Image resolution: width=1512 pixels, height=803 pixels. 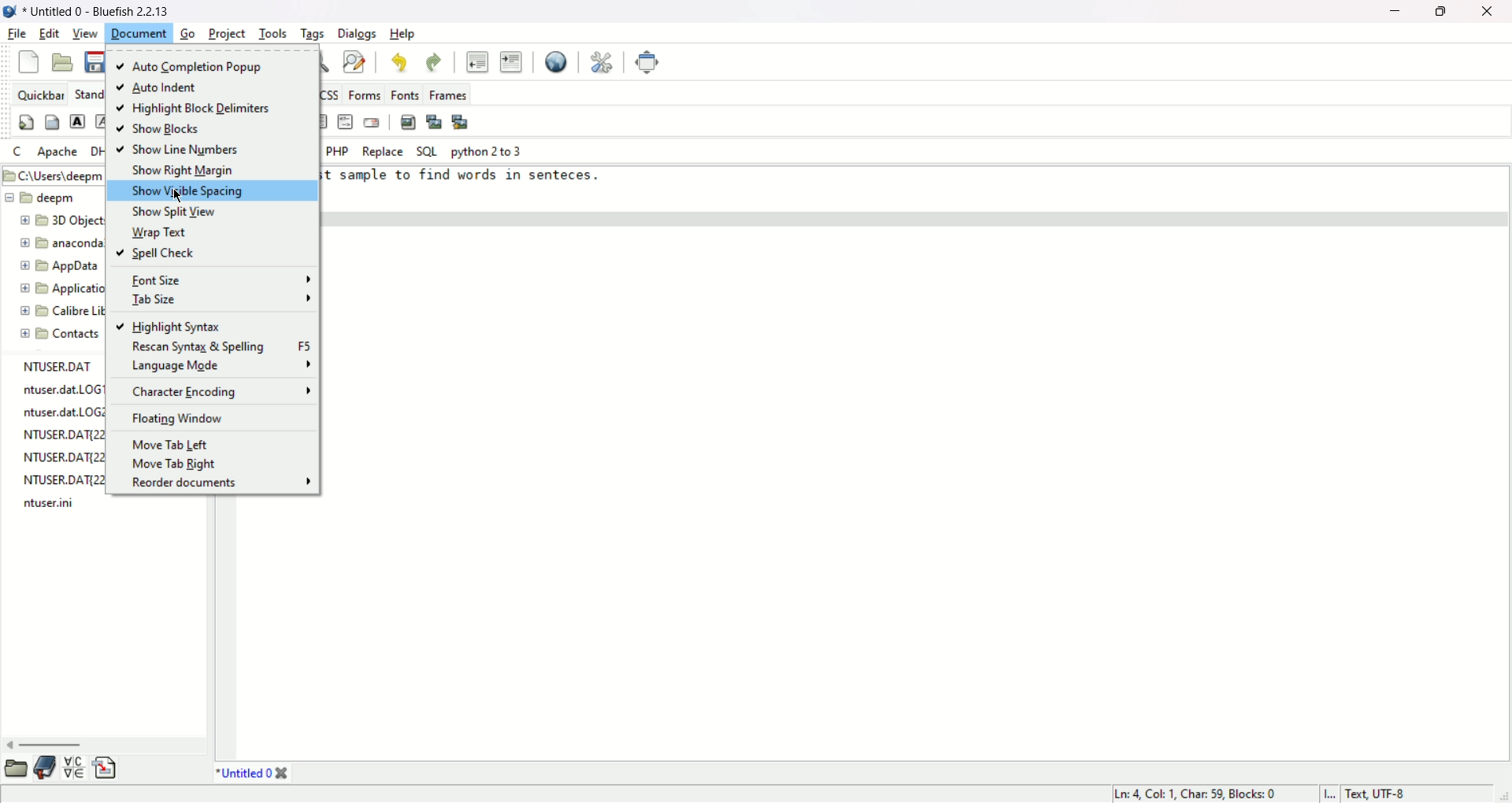 I want to click on quickbar, so click(x=39, y=95).